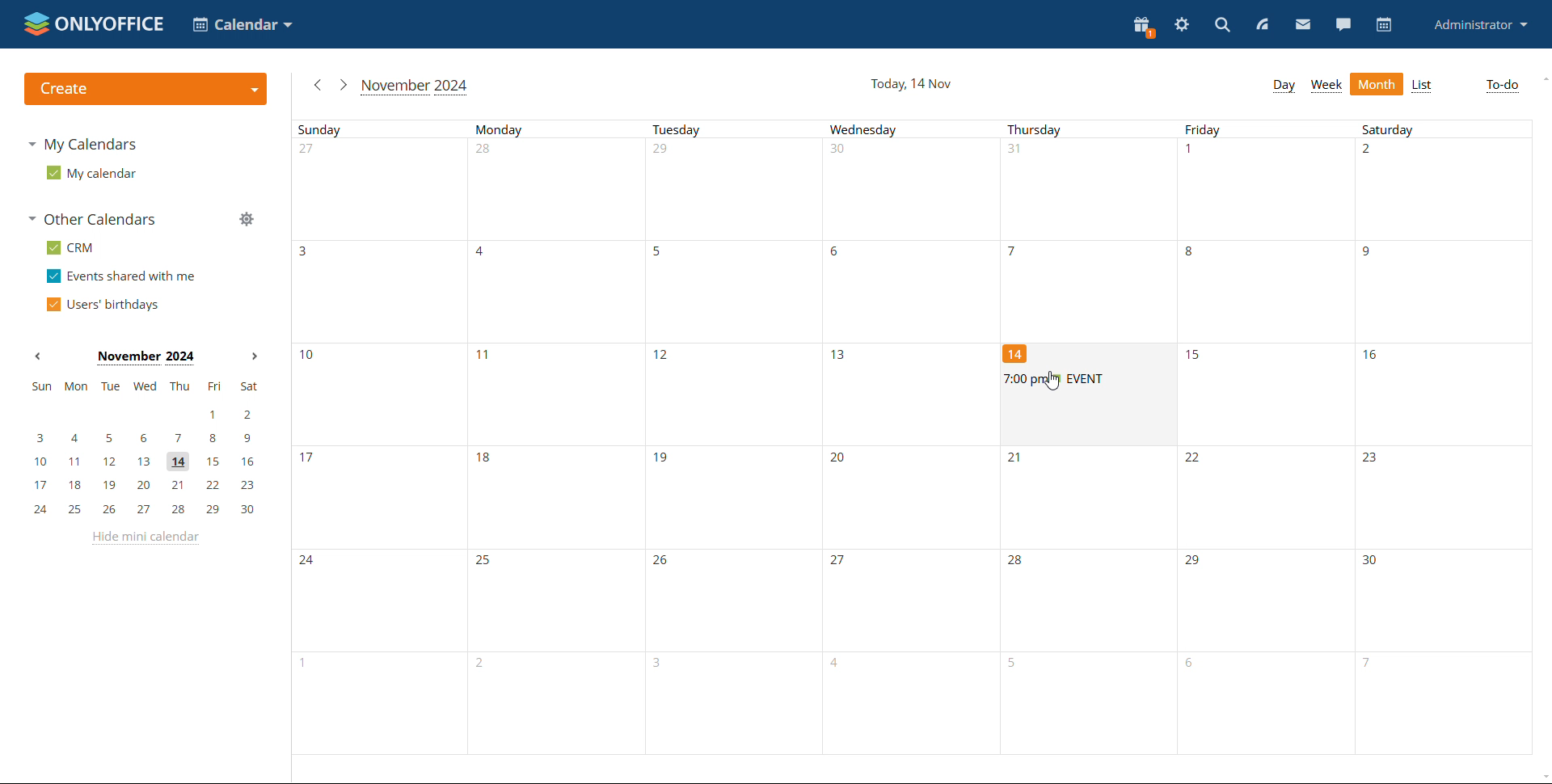  Describe the element at coordinates (306, 251) in the screenshot. I see `number` at that location.